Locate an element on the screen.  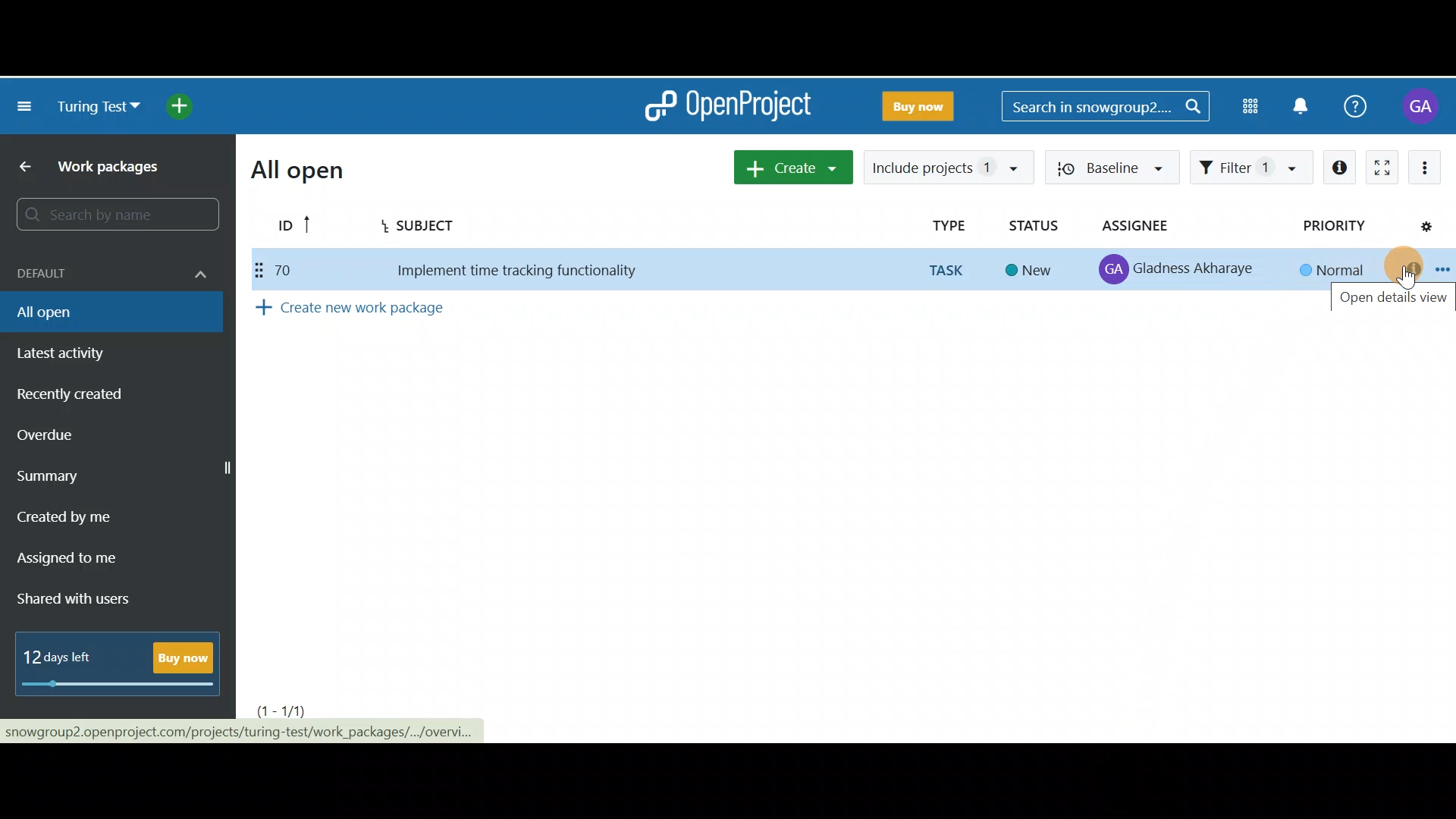
Create new work package is located at coordinates (359, 309).